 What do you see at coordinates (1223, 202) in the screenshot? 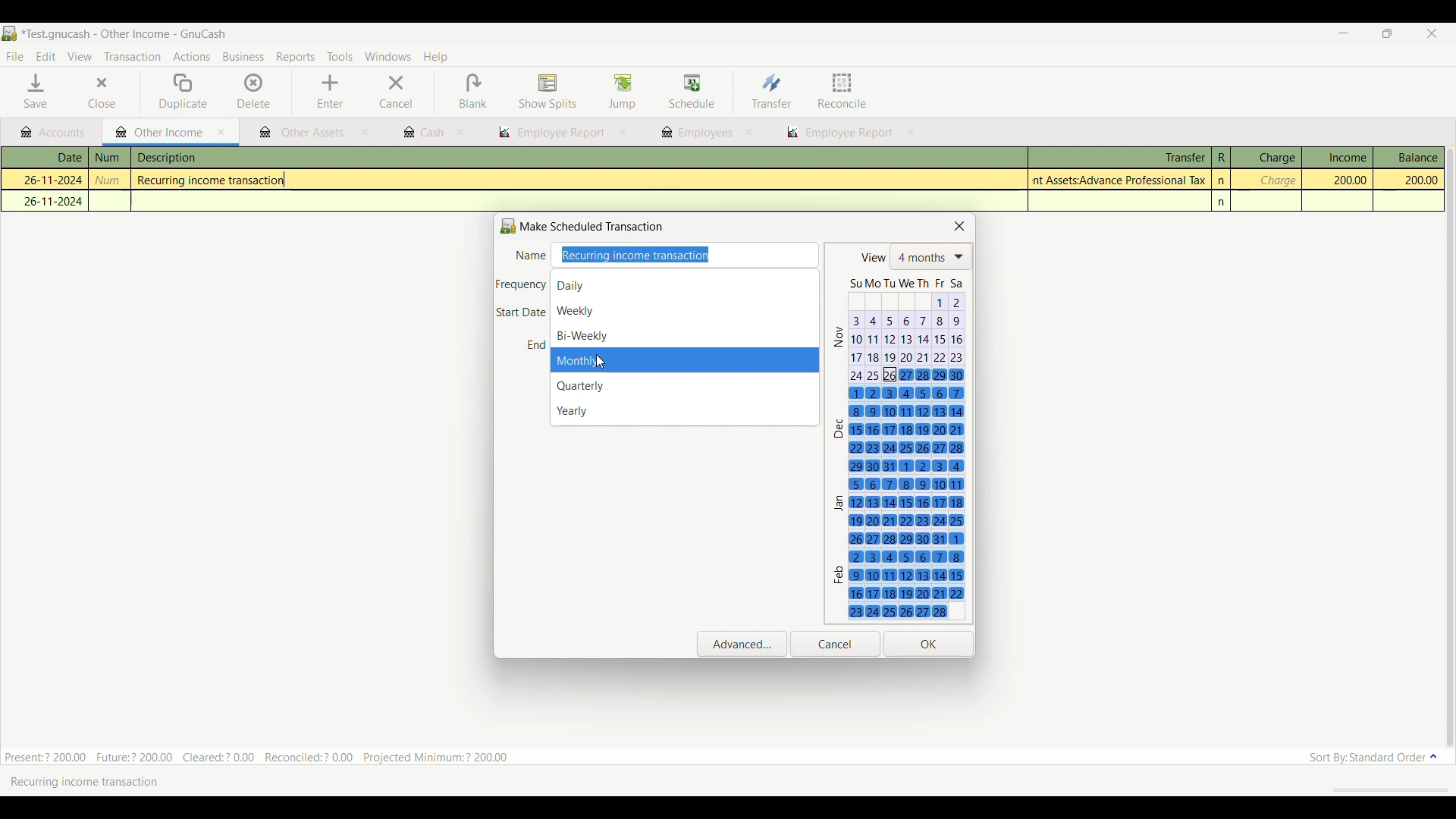
I see `n` at bounding box center [1223, 202].